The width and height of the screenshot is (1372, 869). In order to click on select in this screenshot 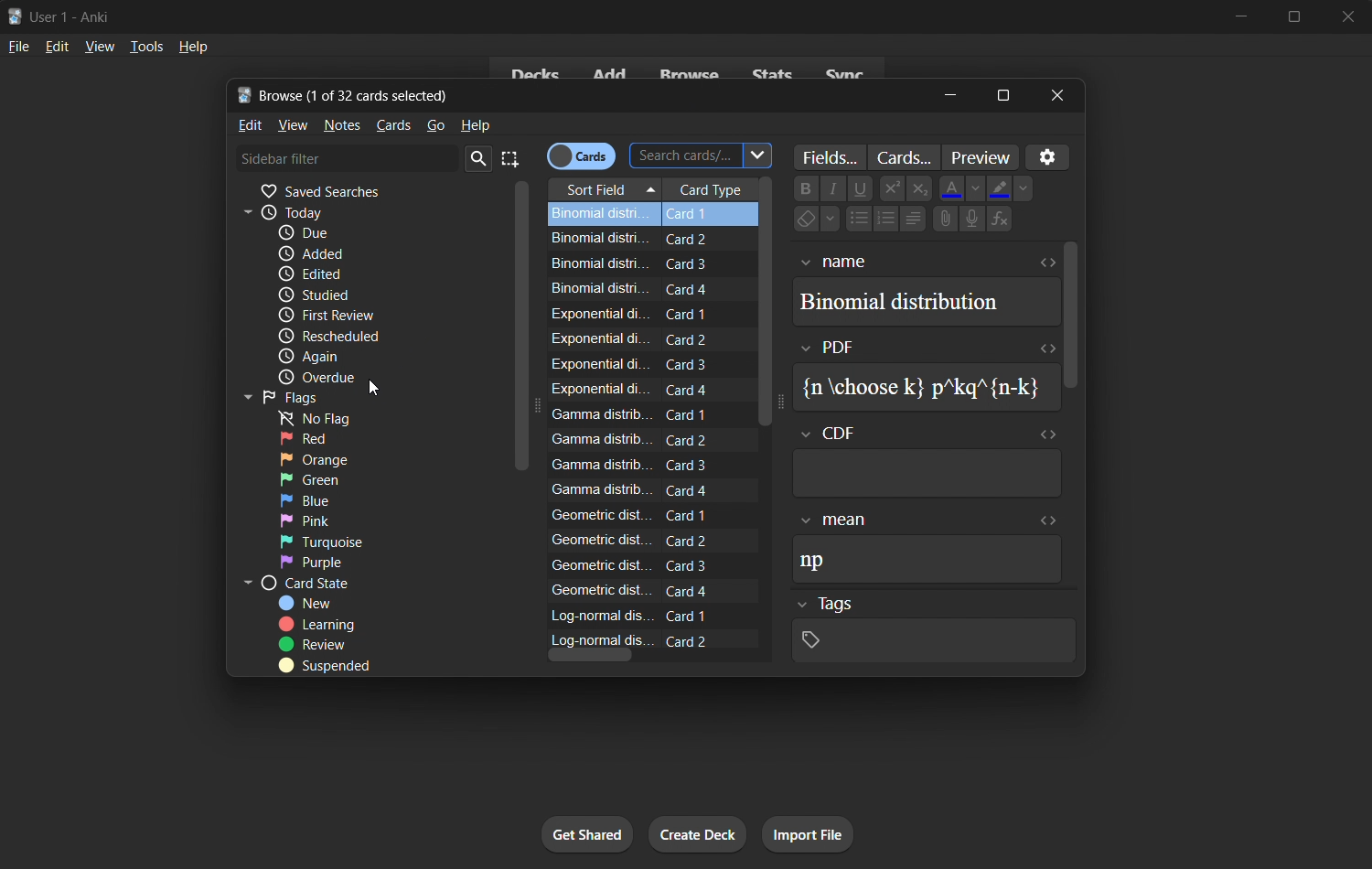, I will do `click(512, 157)`.